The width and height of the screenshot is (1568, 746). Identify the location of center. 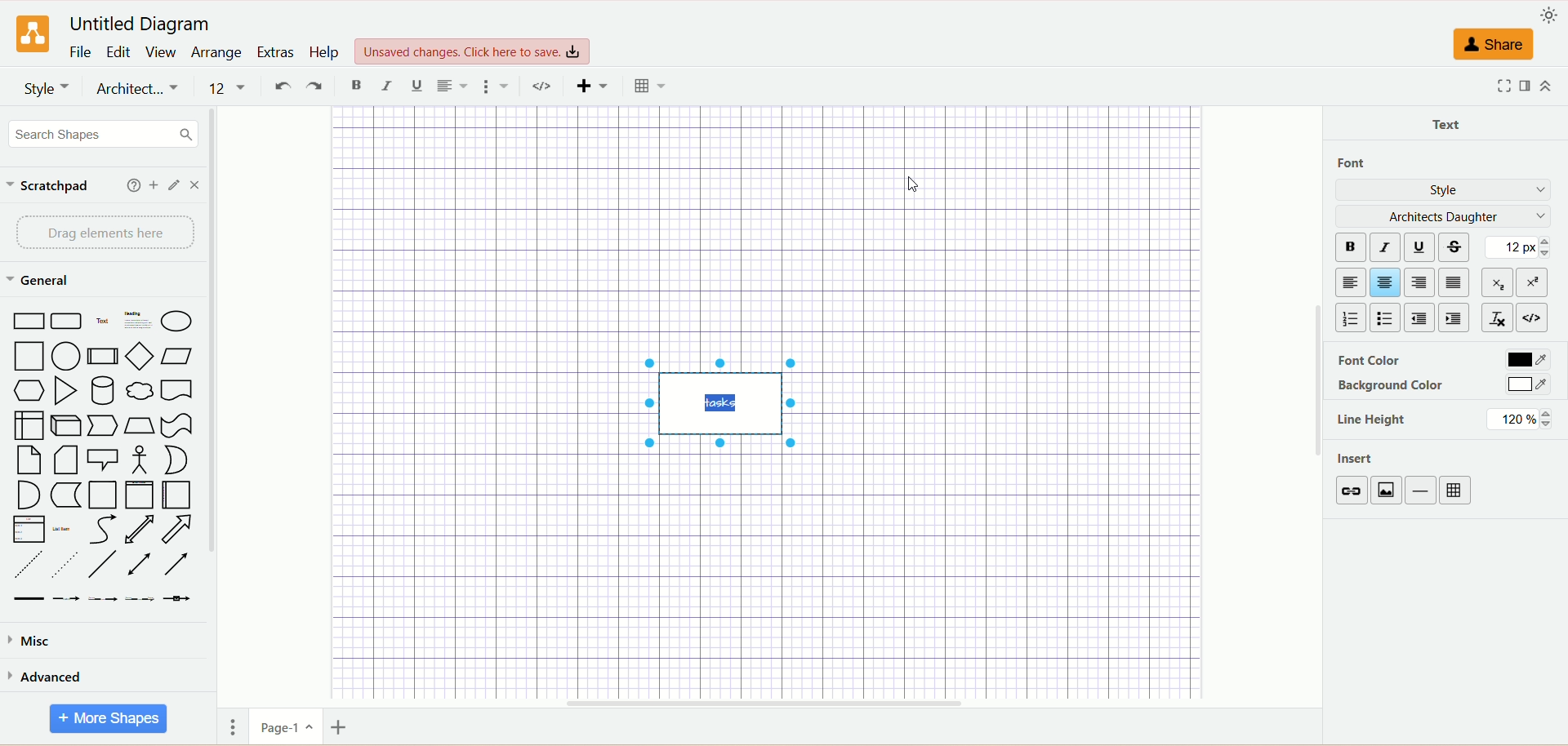
(1386, 282).